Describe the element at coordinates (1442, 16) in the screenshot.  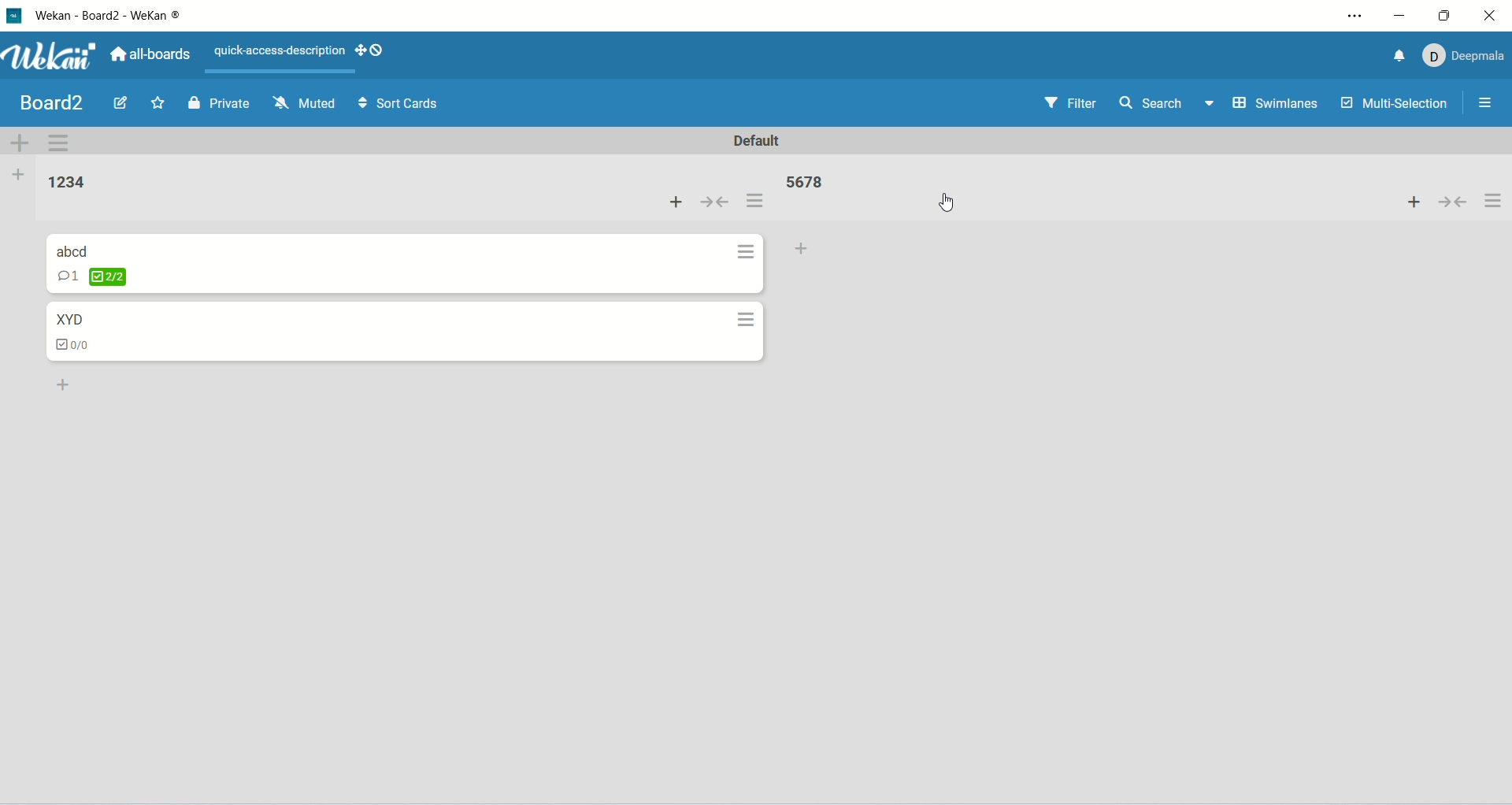
I see `maximize` at that location.